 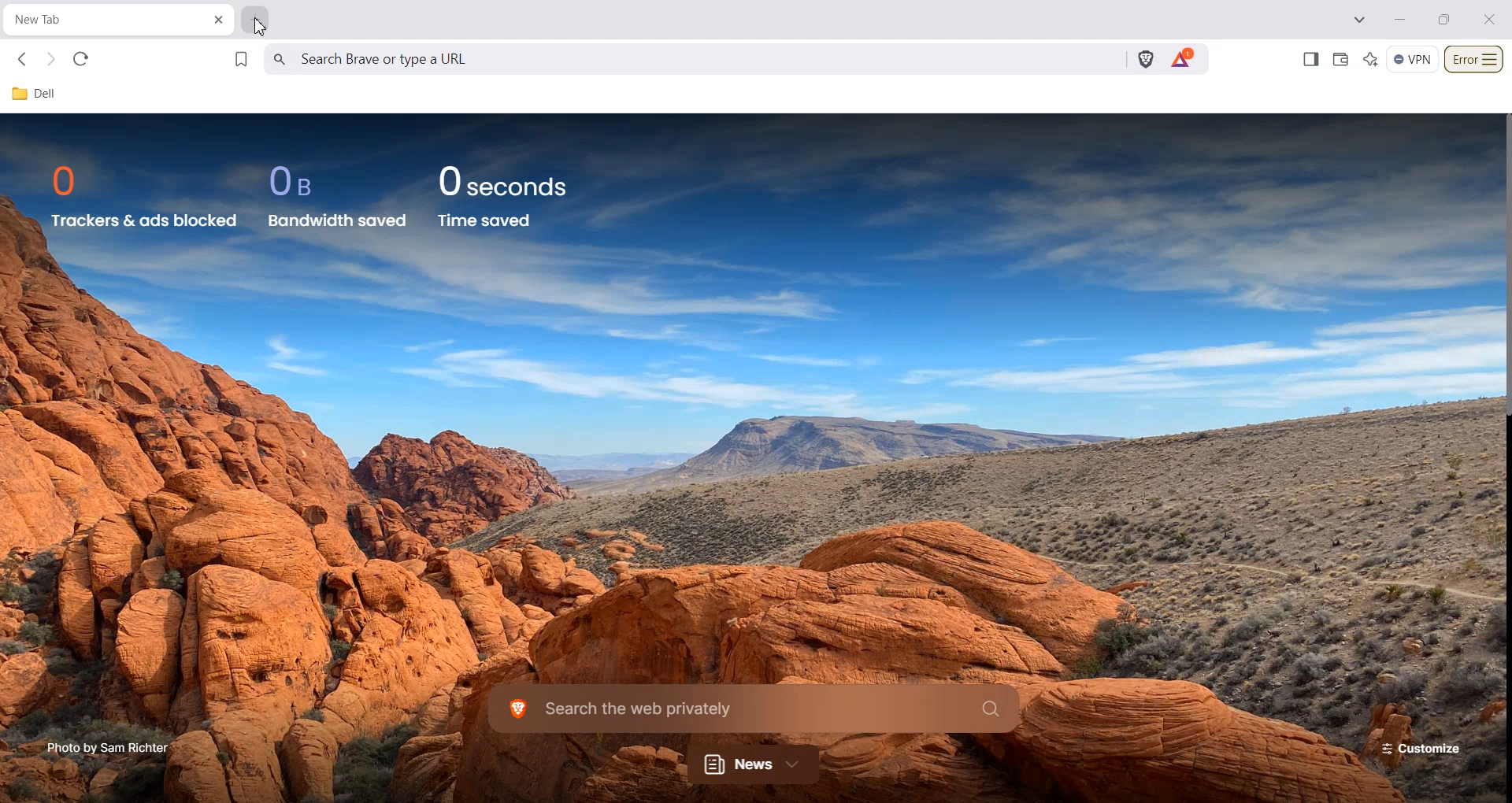 I want to click on OB, so click(x=301, y=181).